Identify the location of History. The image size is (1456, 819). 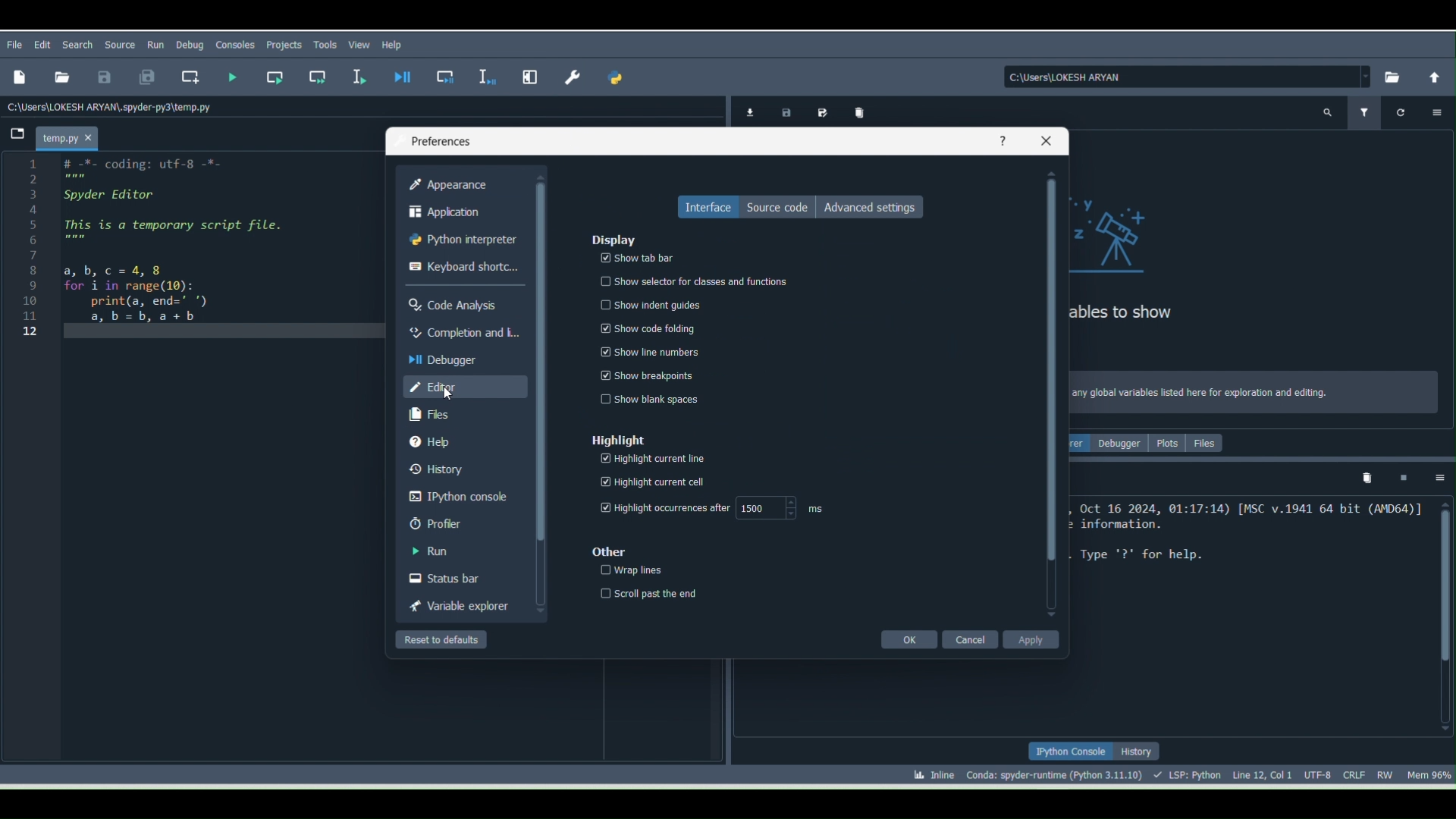
(457, 466).